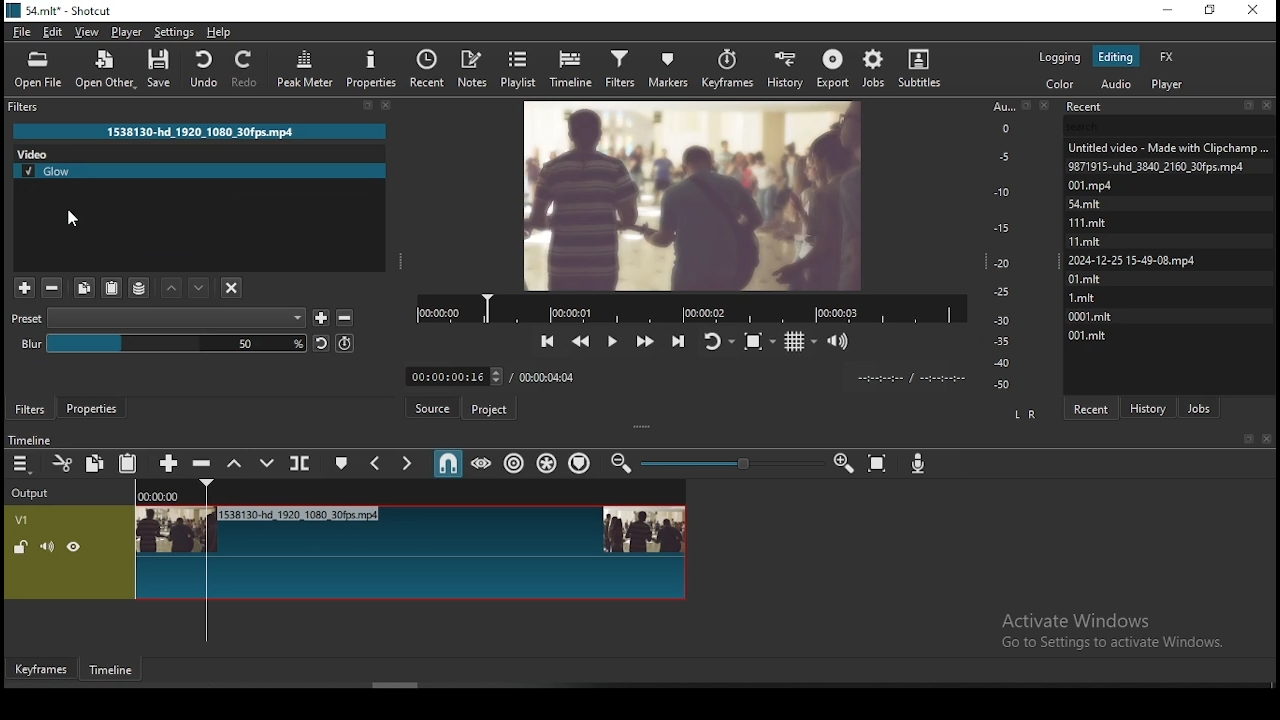  Describe the element at coordinates (483, 463) in the screenshot. I see `scrub while dragging` at that location.